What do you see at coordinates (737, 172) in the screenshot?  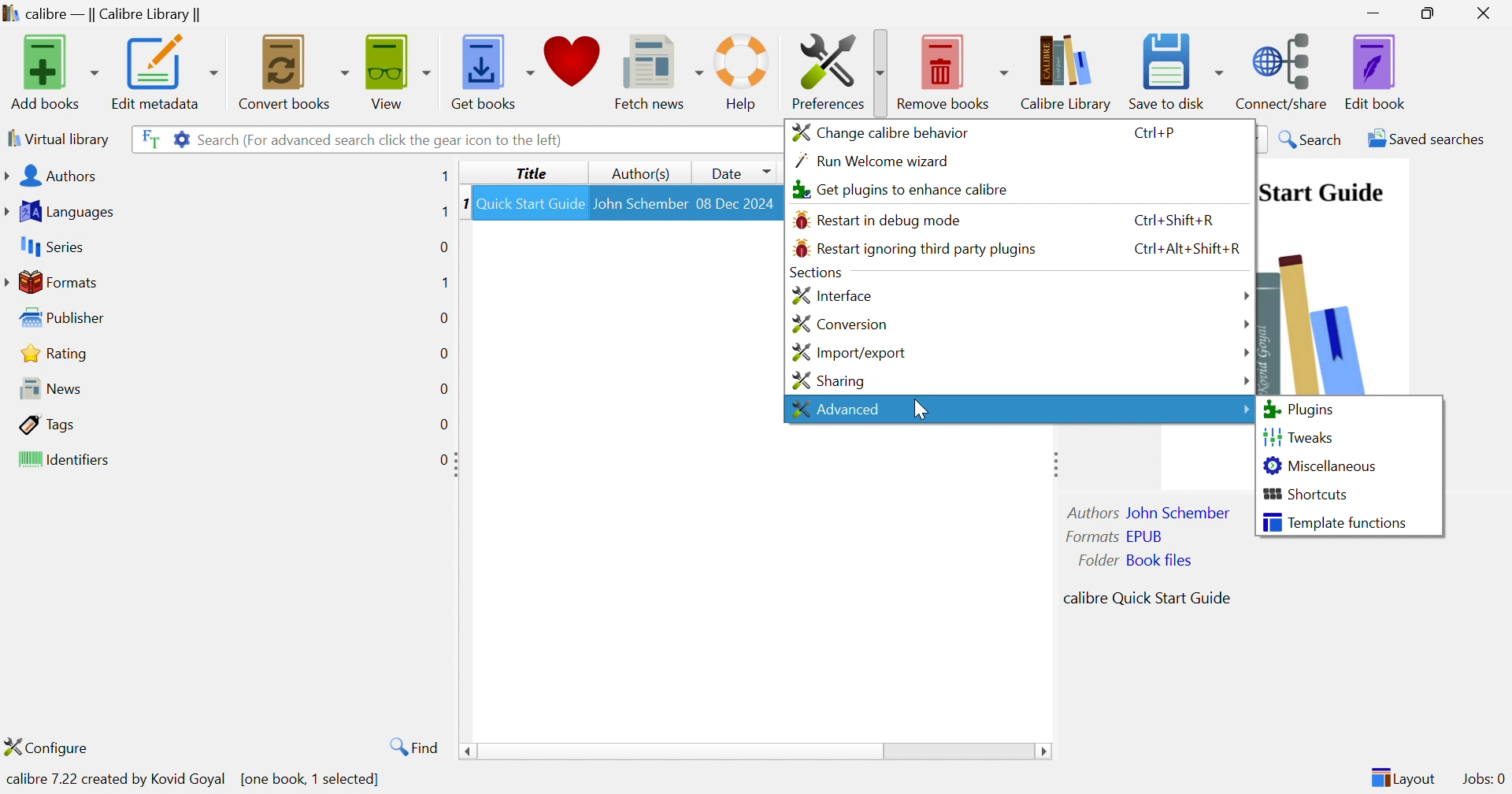 I see `Date` at bounding box center [737, 172].